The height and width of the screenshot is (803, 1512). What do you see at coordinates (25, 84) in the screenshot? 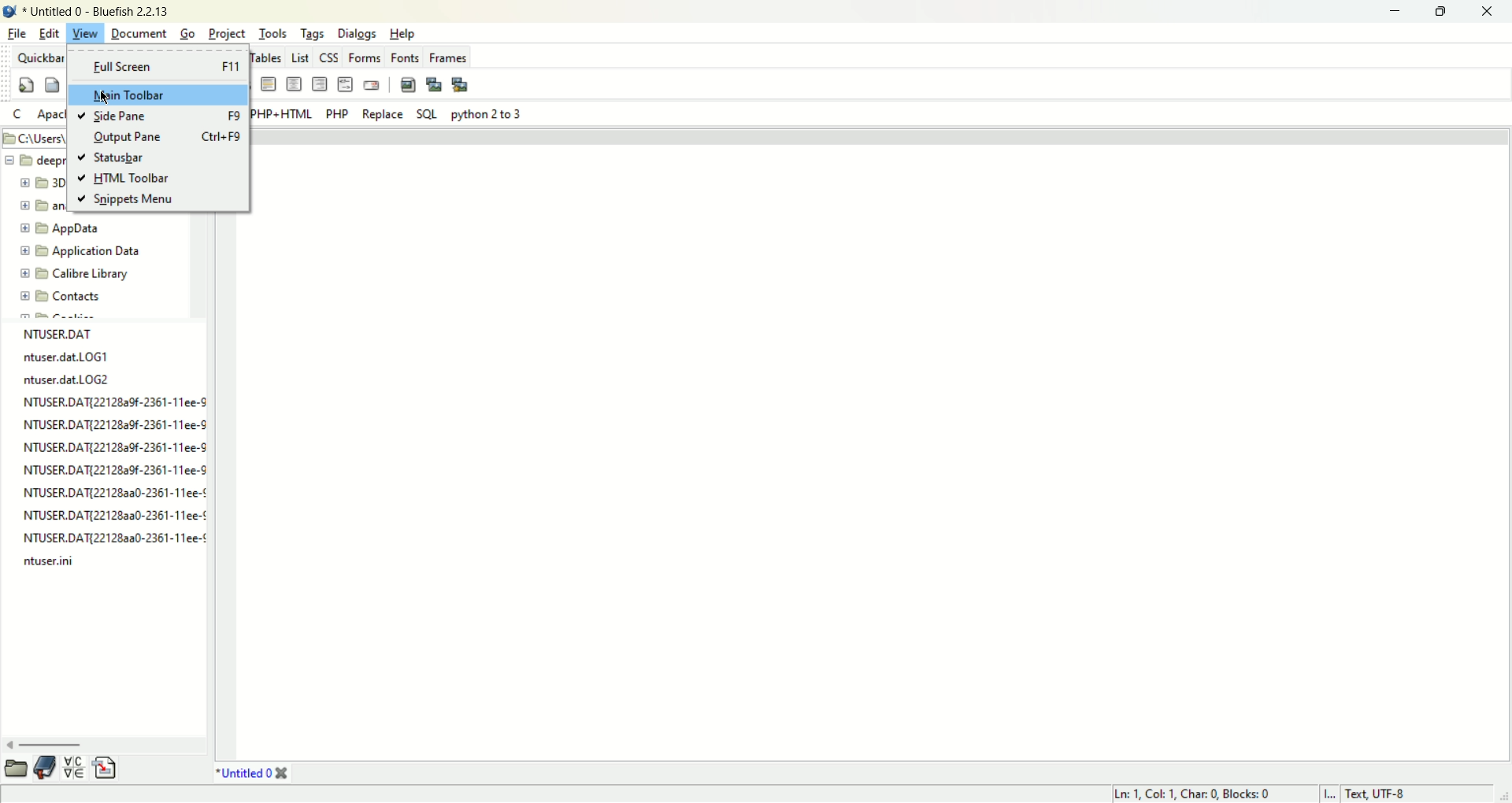
I see `quickstart` at bounding box center [25, 84].